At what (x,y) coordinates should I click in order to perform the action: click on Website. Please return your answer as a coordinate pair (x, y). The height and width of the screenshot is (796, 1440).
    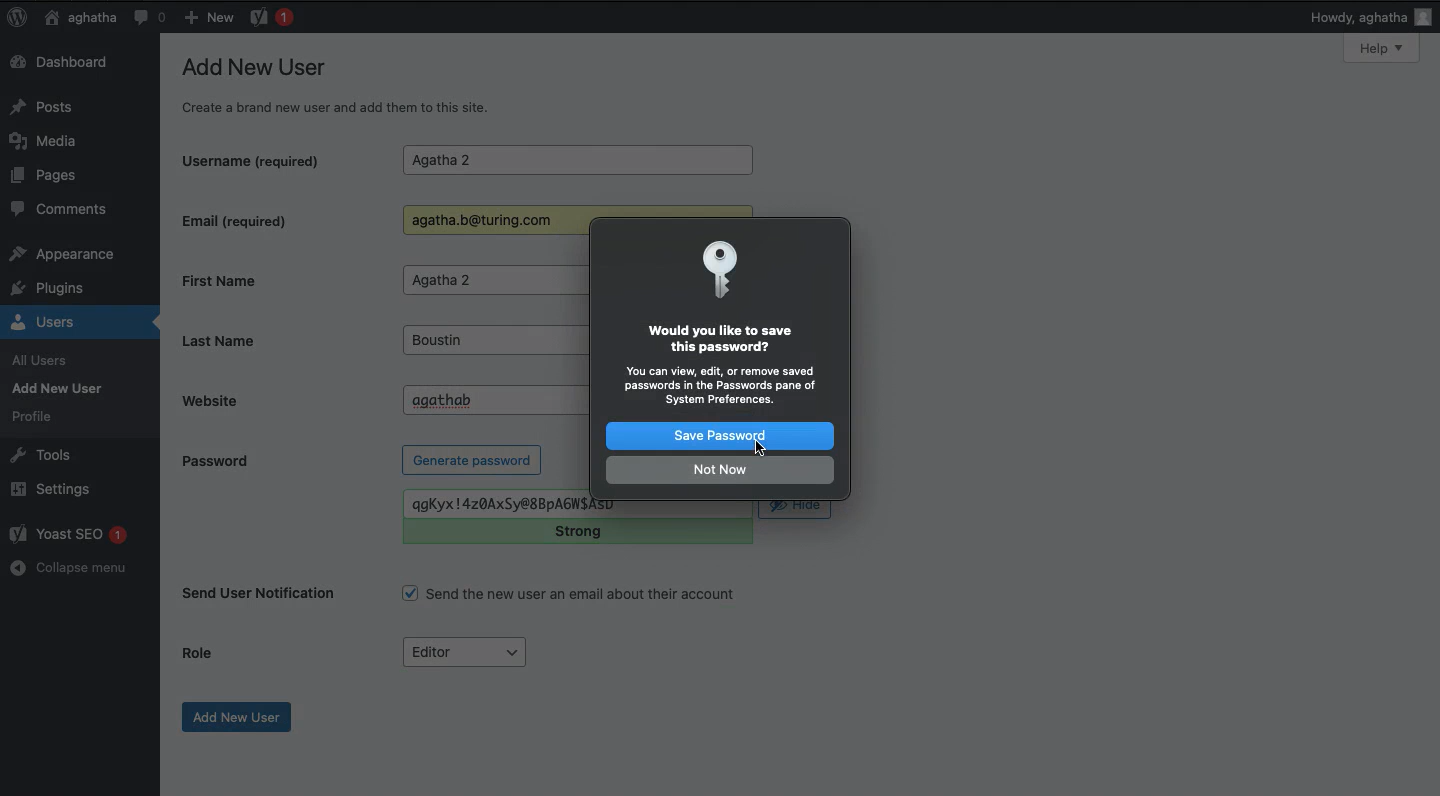
    Looking at the image, I should click on (259, 400).